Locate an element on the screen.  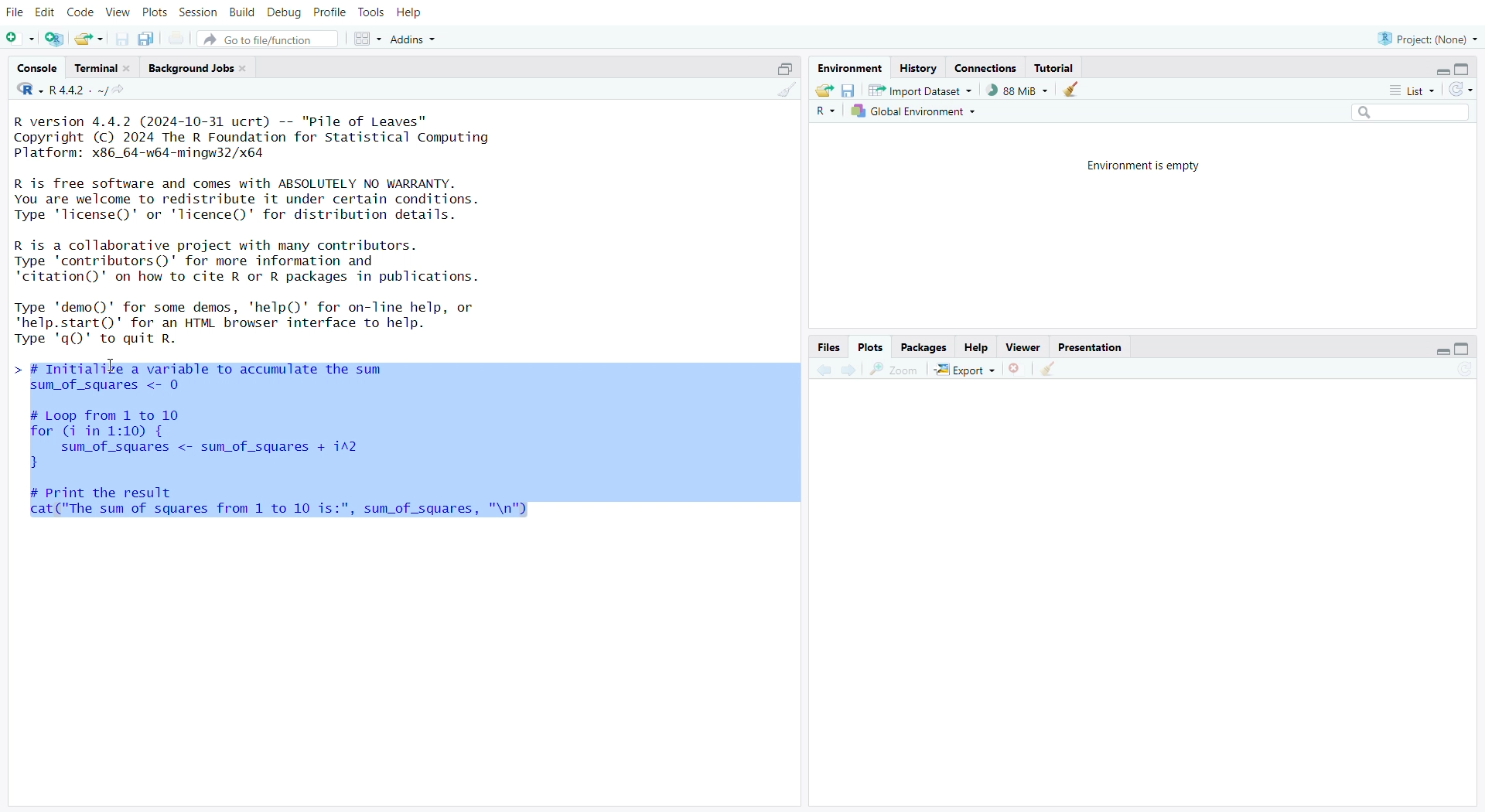
expand is located at coordinates (1441, 351).